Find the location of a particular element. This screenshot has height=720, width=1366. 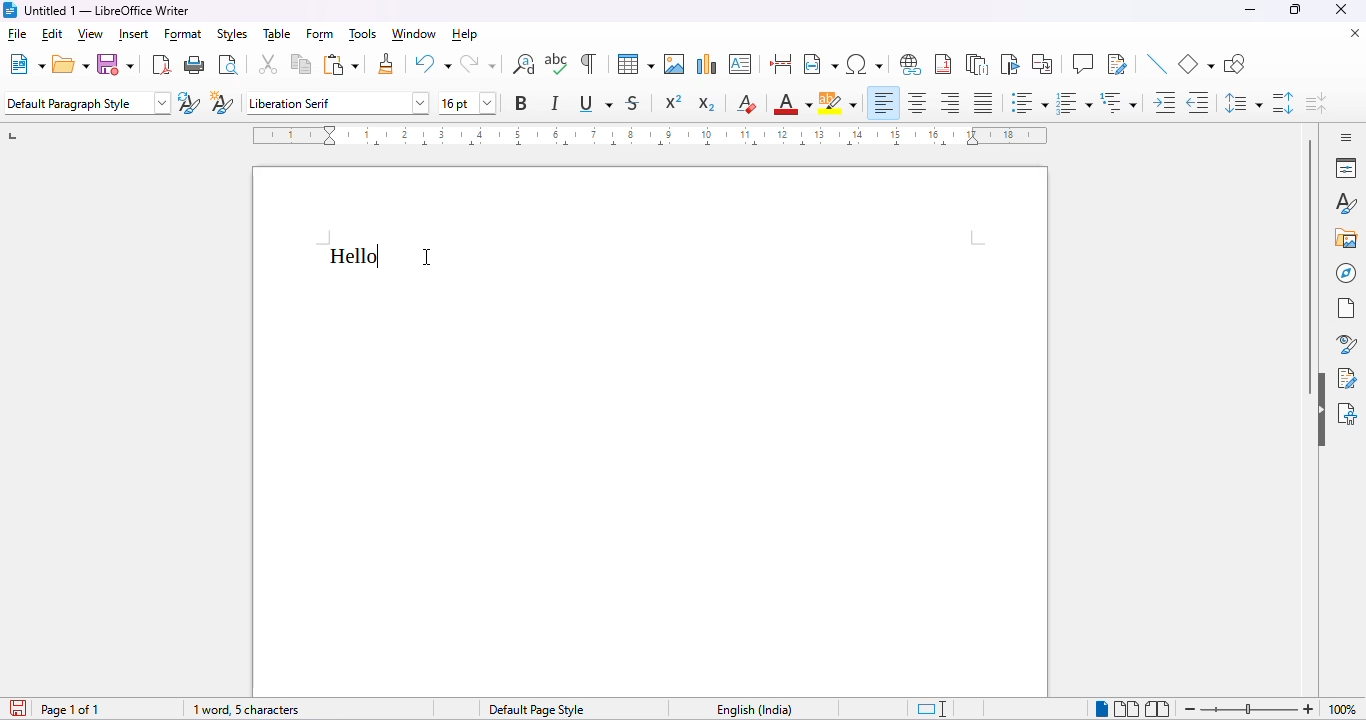

insert footnote is located at coordinates (943, 65).